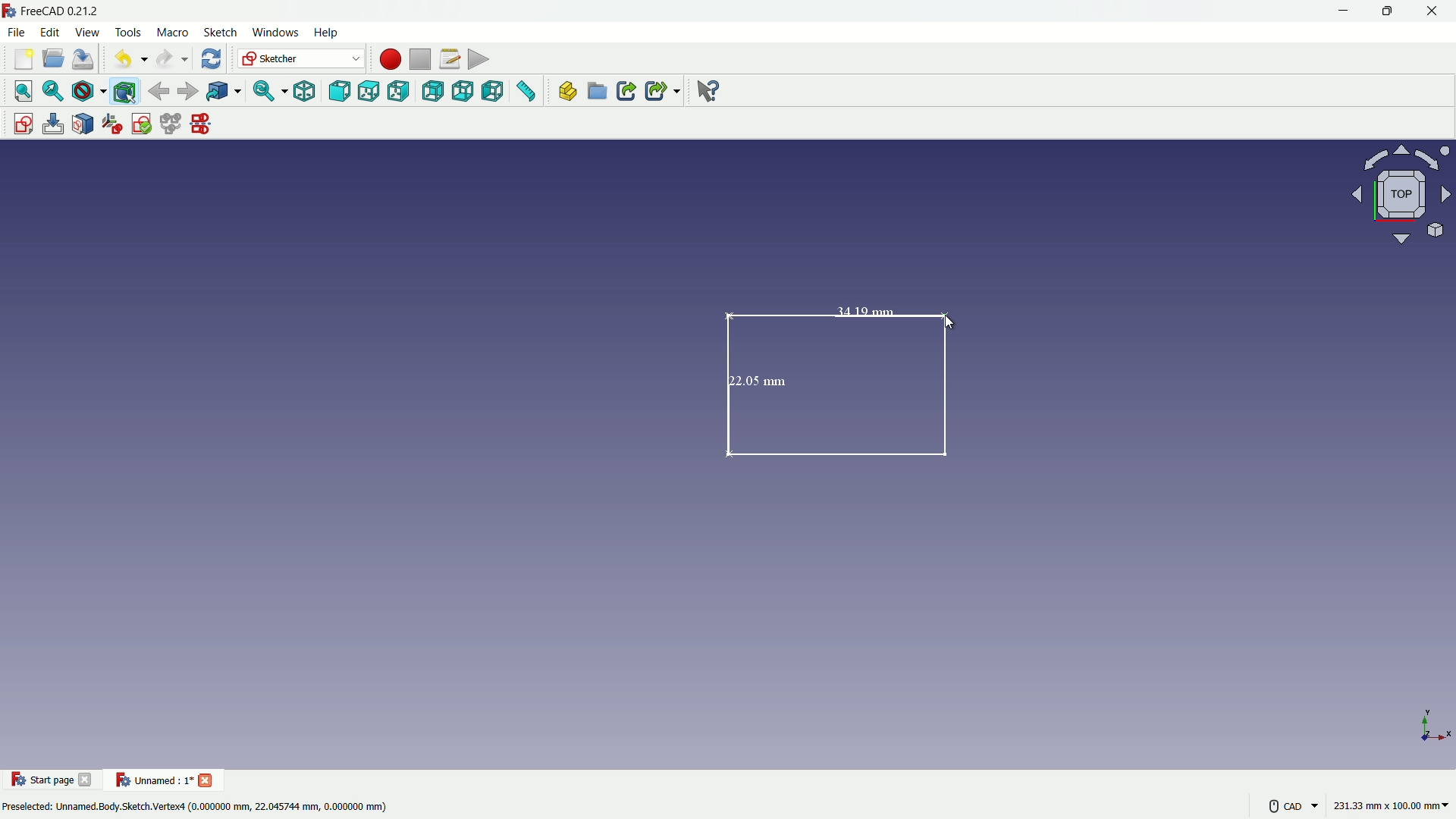  What do you see at coordinates (209, 59) in the screenshot?
I see `refresh` at bounding box center [209, 59].